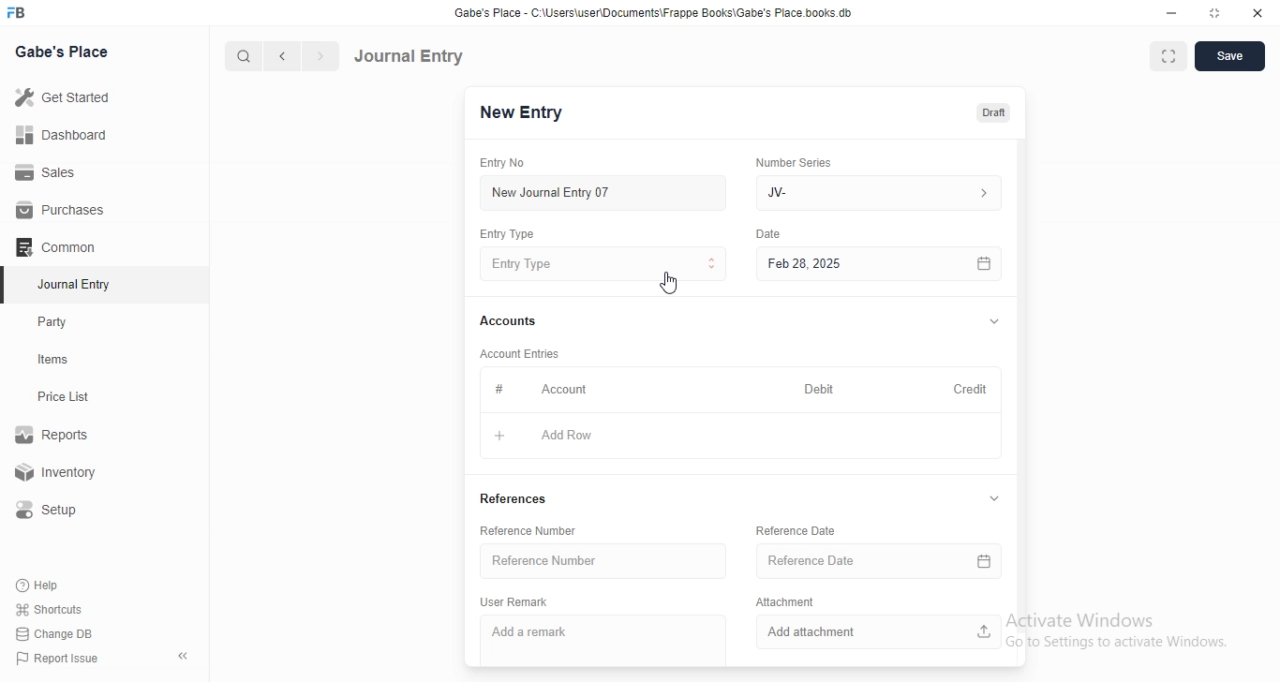 The height and width of the screenshot is (682, 1280). I want to click on fullscreen, so click(1169, 58).